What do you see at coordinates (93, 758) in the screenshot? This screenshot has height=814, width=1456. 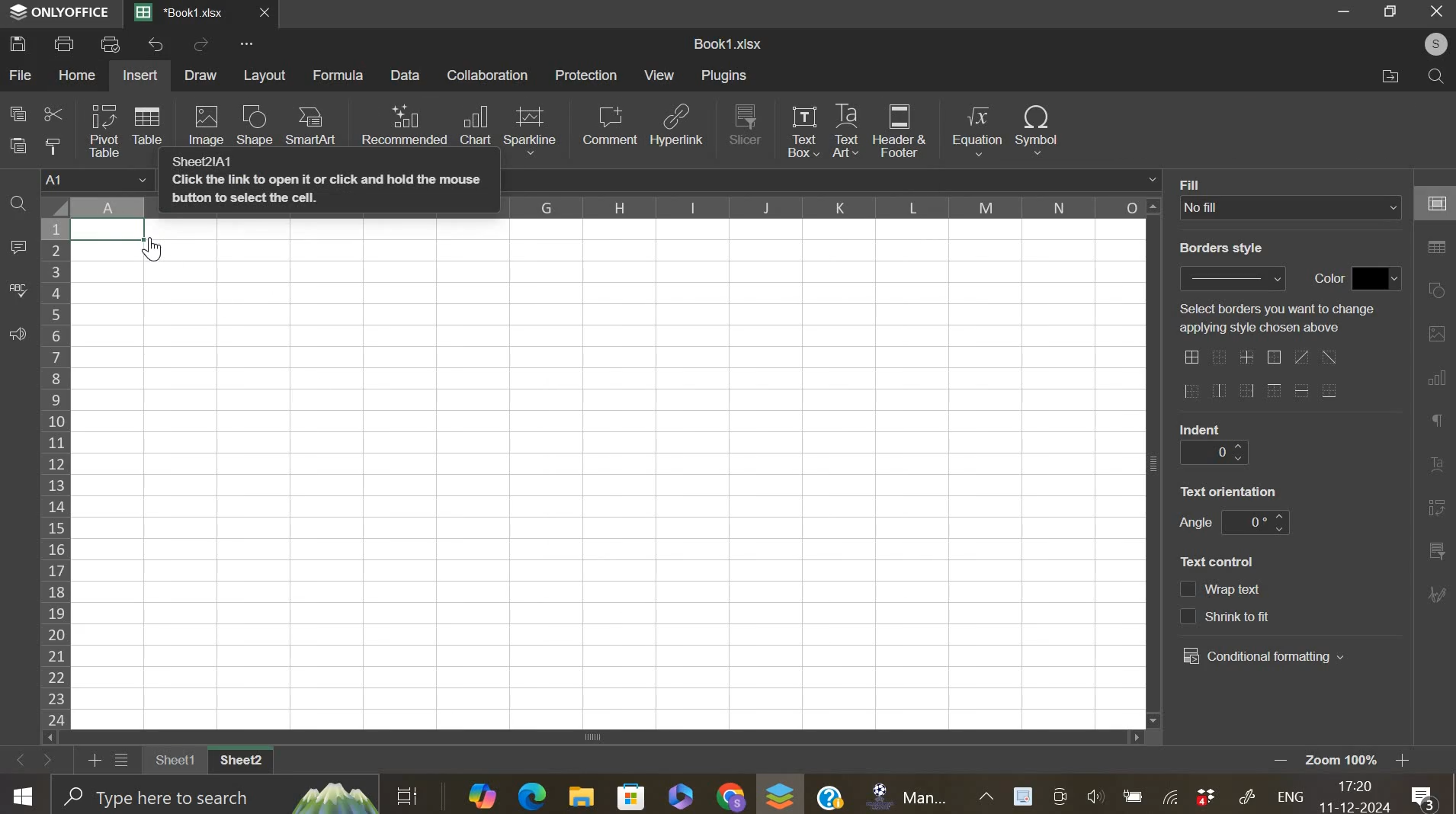 I see `add new sheet` at bounding box center [93, 758].